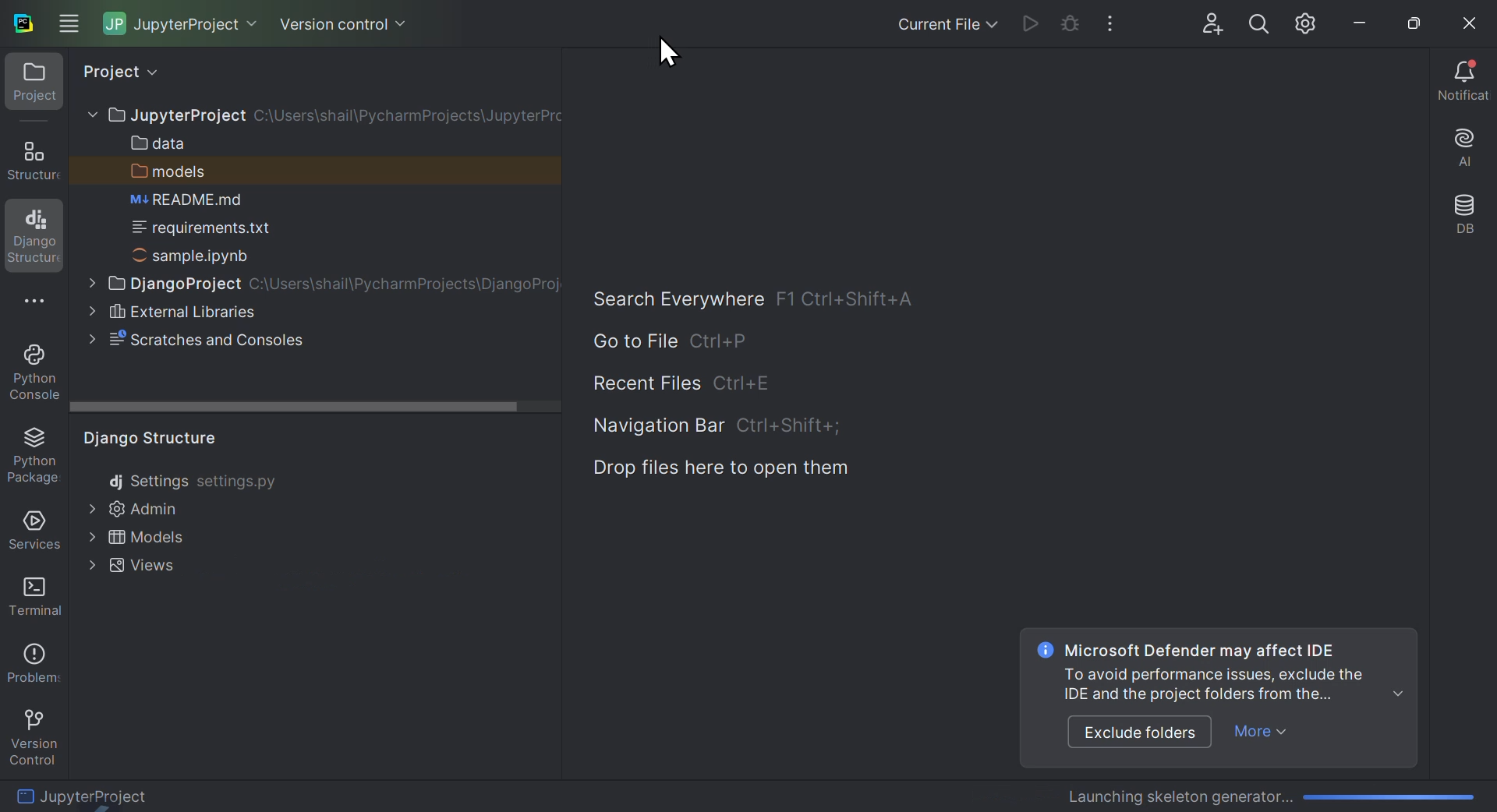 This screenshot has height=812, width=1497. Describe the element at coordinates (194, 480) in the screenshot. I see `Settings` at that location.